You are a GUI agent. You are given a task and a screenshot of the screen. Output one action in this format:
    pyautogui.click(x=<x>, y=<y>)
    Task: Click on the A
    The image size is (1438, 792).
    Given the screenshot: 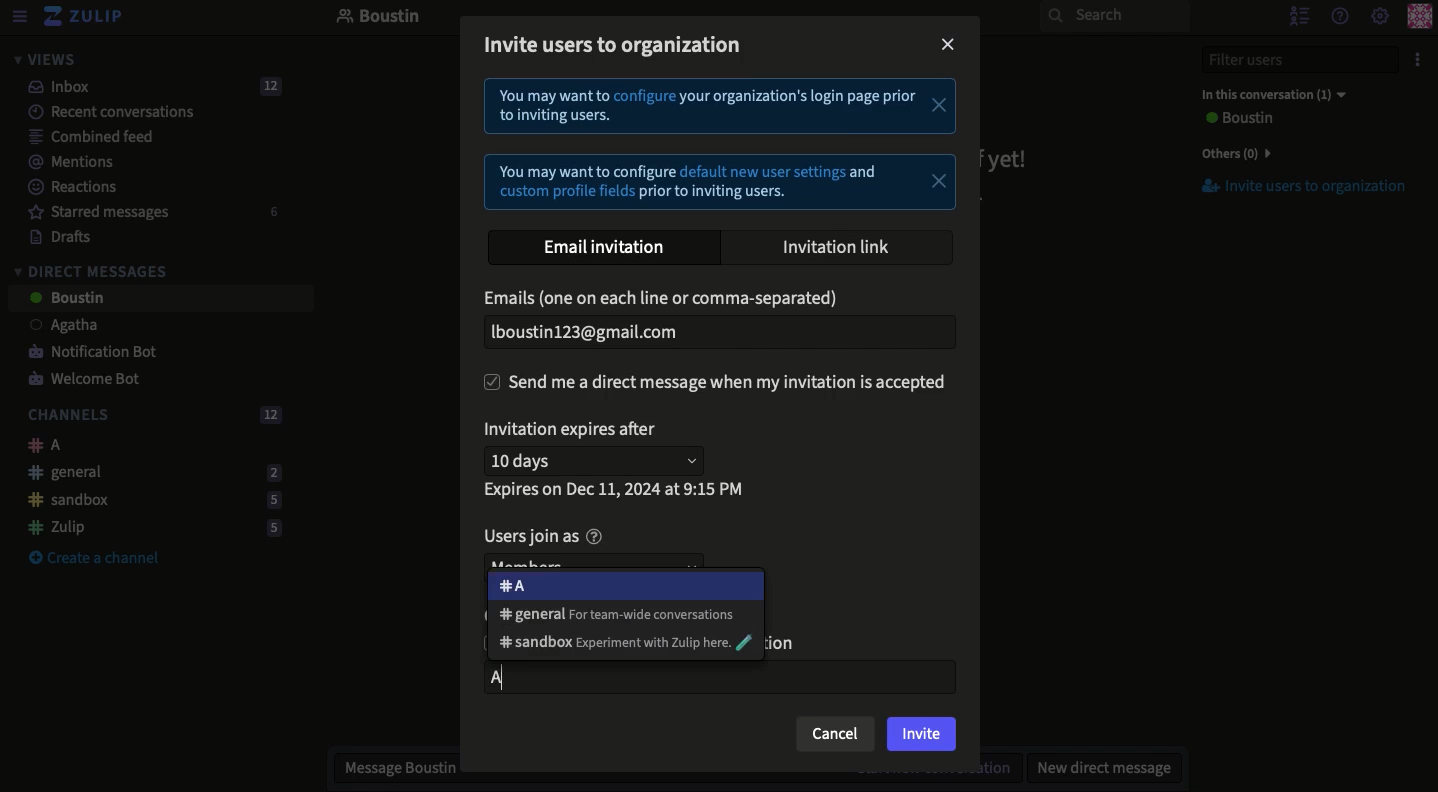 What is the action you would take?
    pyautogui.click(x=39, y=445)
    